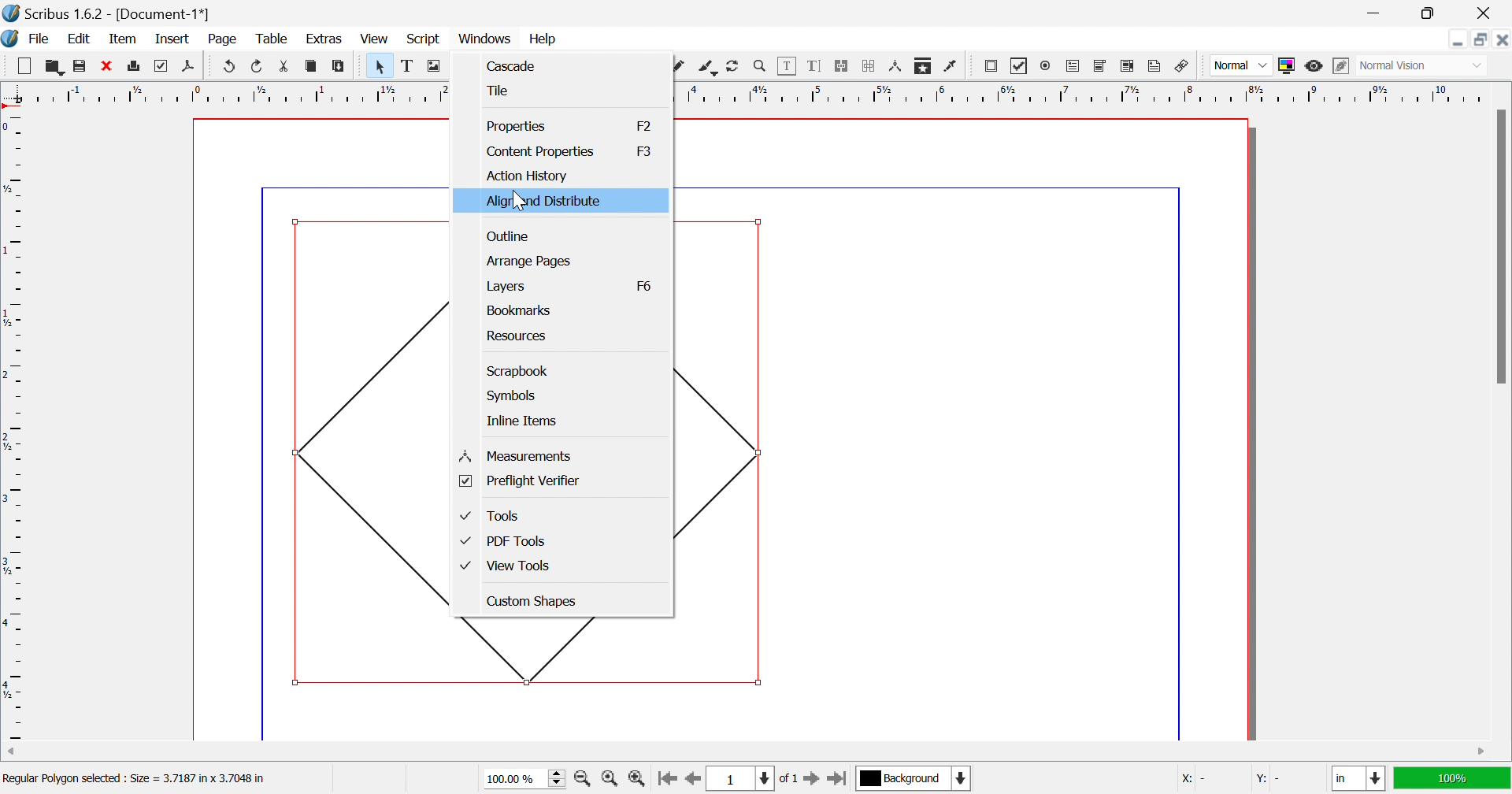 The height and width of the screenshot is (794, 1512). What do you see at coordinates (435, 65) in the screenshot?
I see `Image frame` at bounding box center [435, 65].